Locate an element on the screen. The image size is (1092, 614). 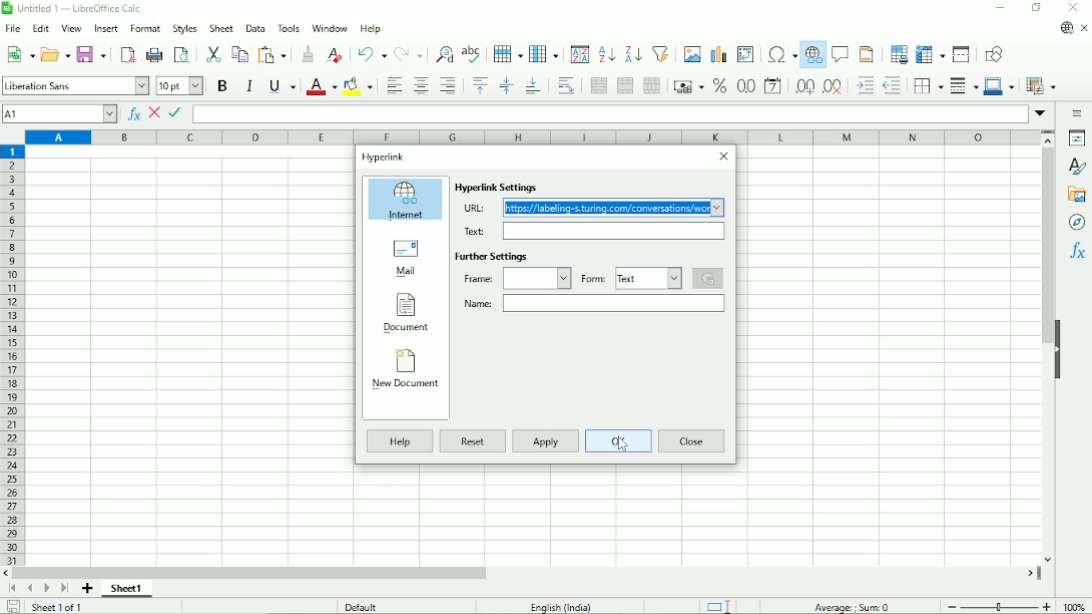
Format as currency is located at coordinates (688, 87).